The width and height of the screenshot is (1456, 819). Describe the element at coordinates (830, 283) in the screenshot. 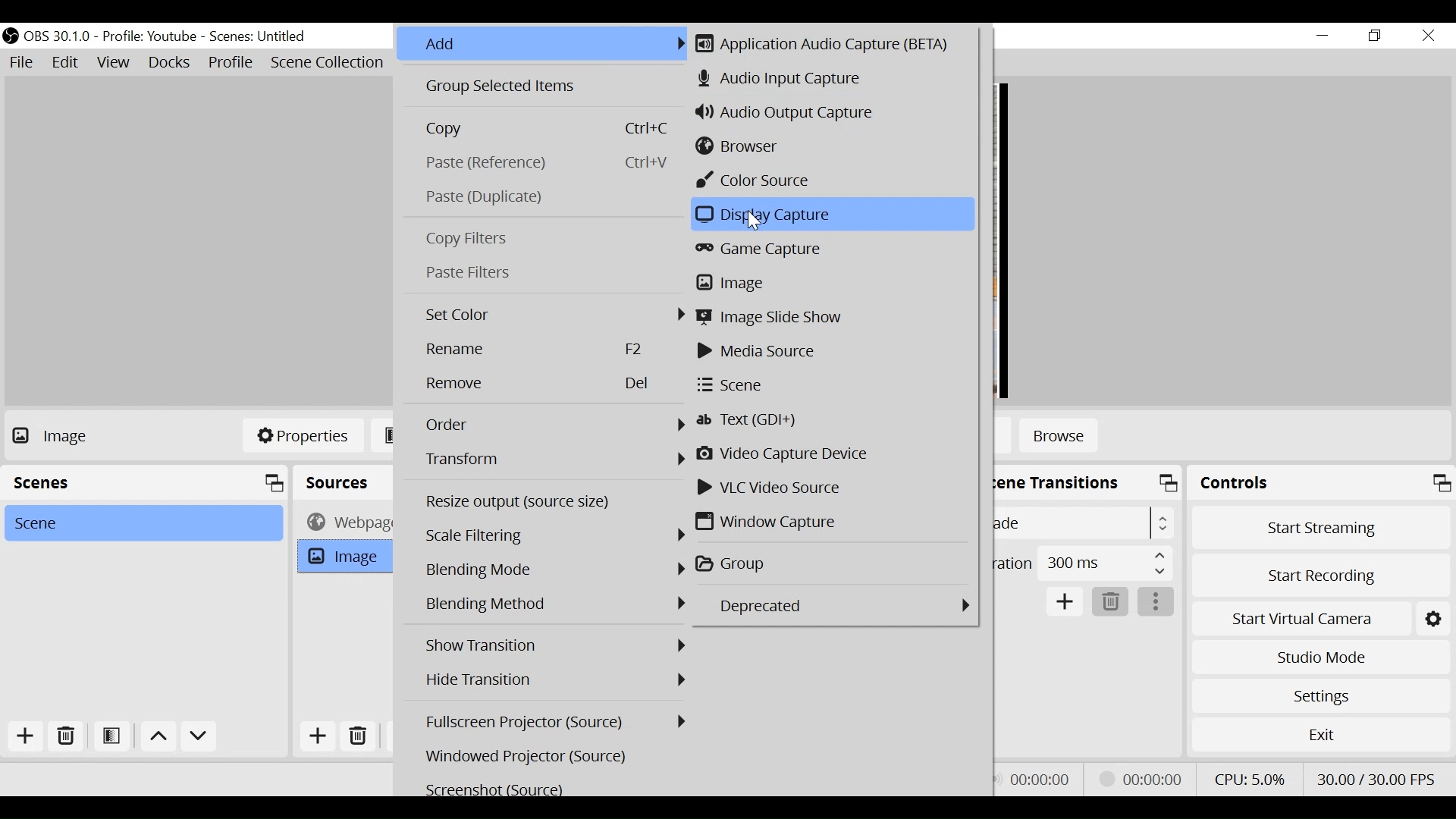

I see `Image` at that location.